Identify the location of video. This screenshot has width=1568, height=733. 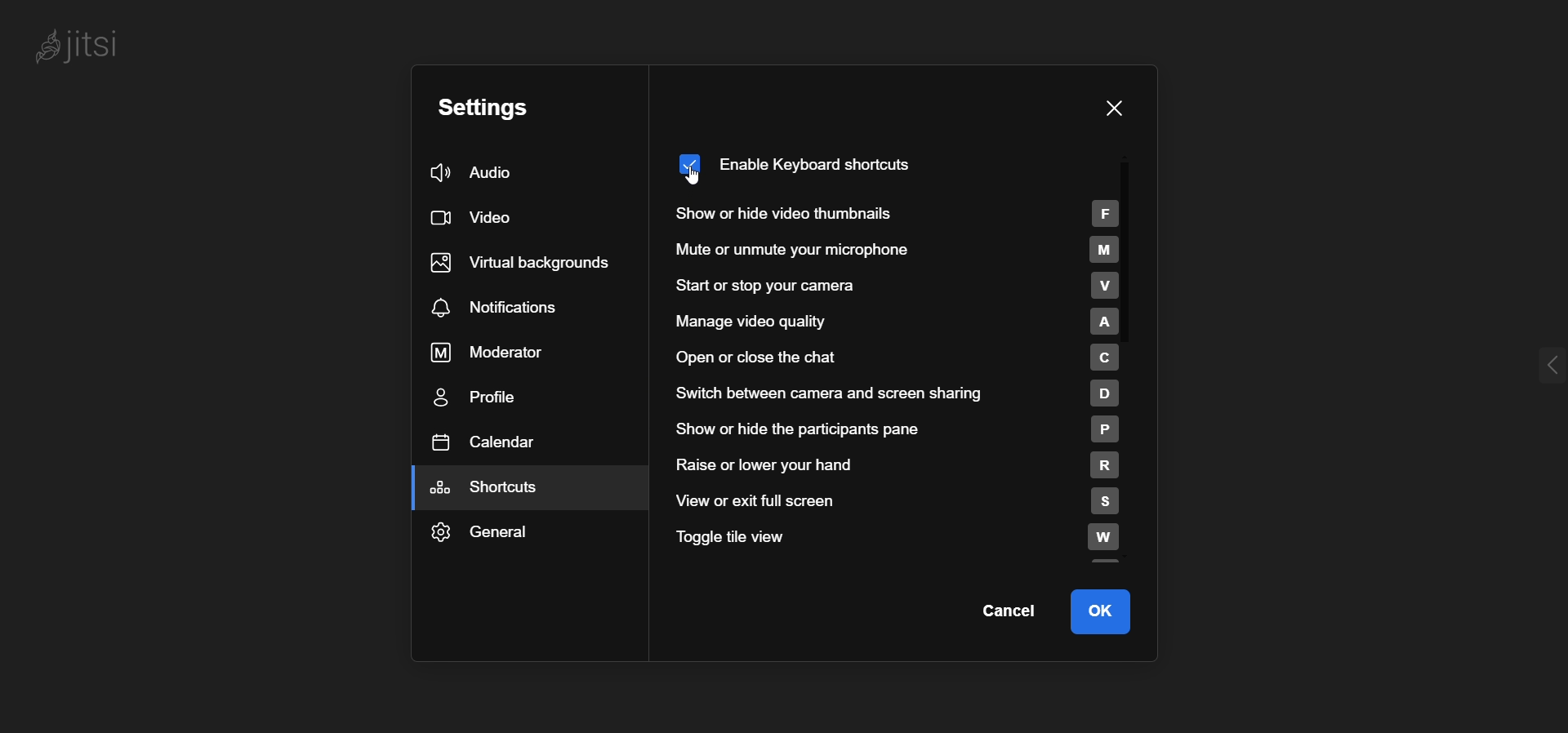
(475, 216).